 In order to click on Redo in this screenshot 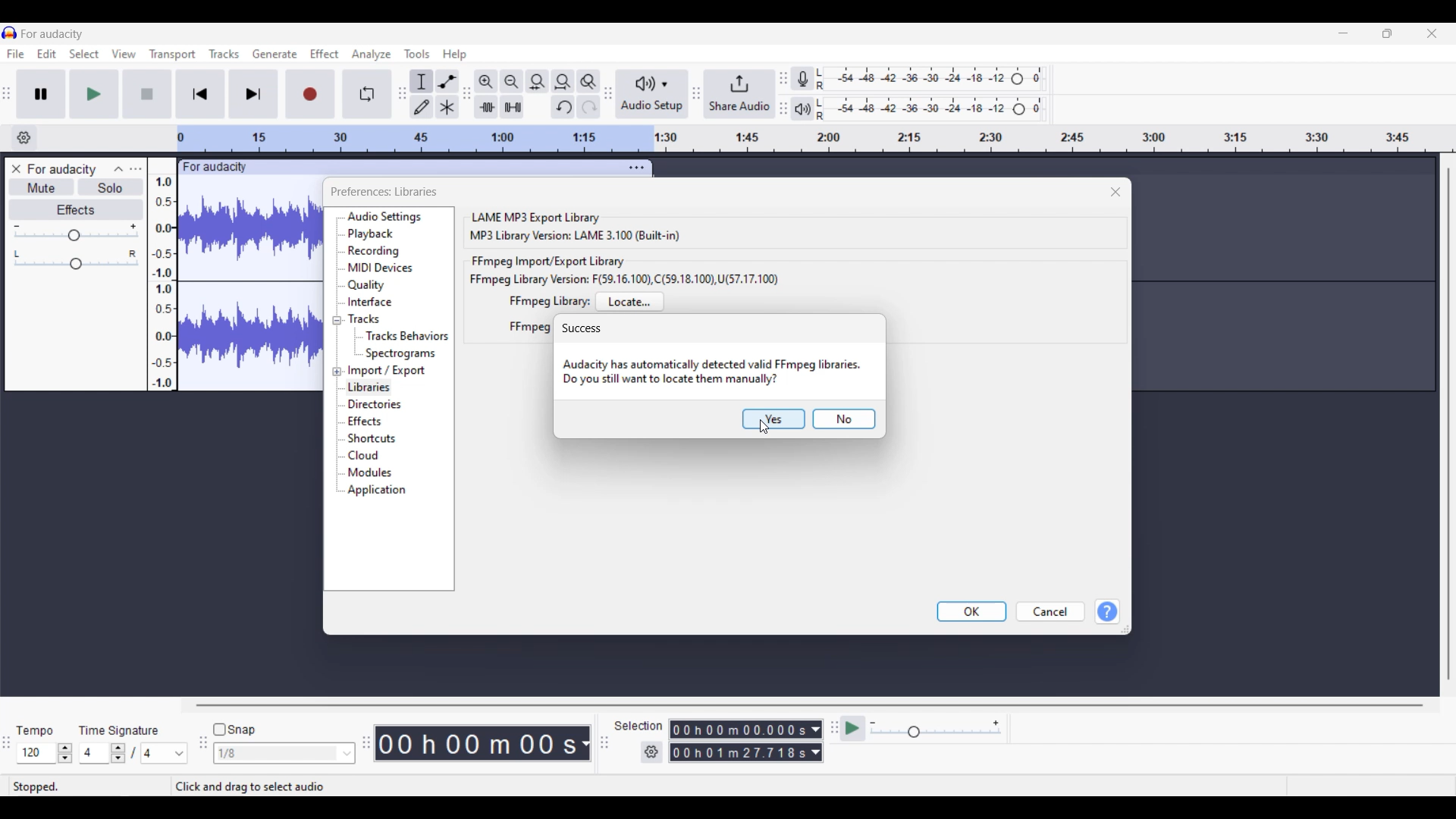, I will do `click(588, 107)`.